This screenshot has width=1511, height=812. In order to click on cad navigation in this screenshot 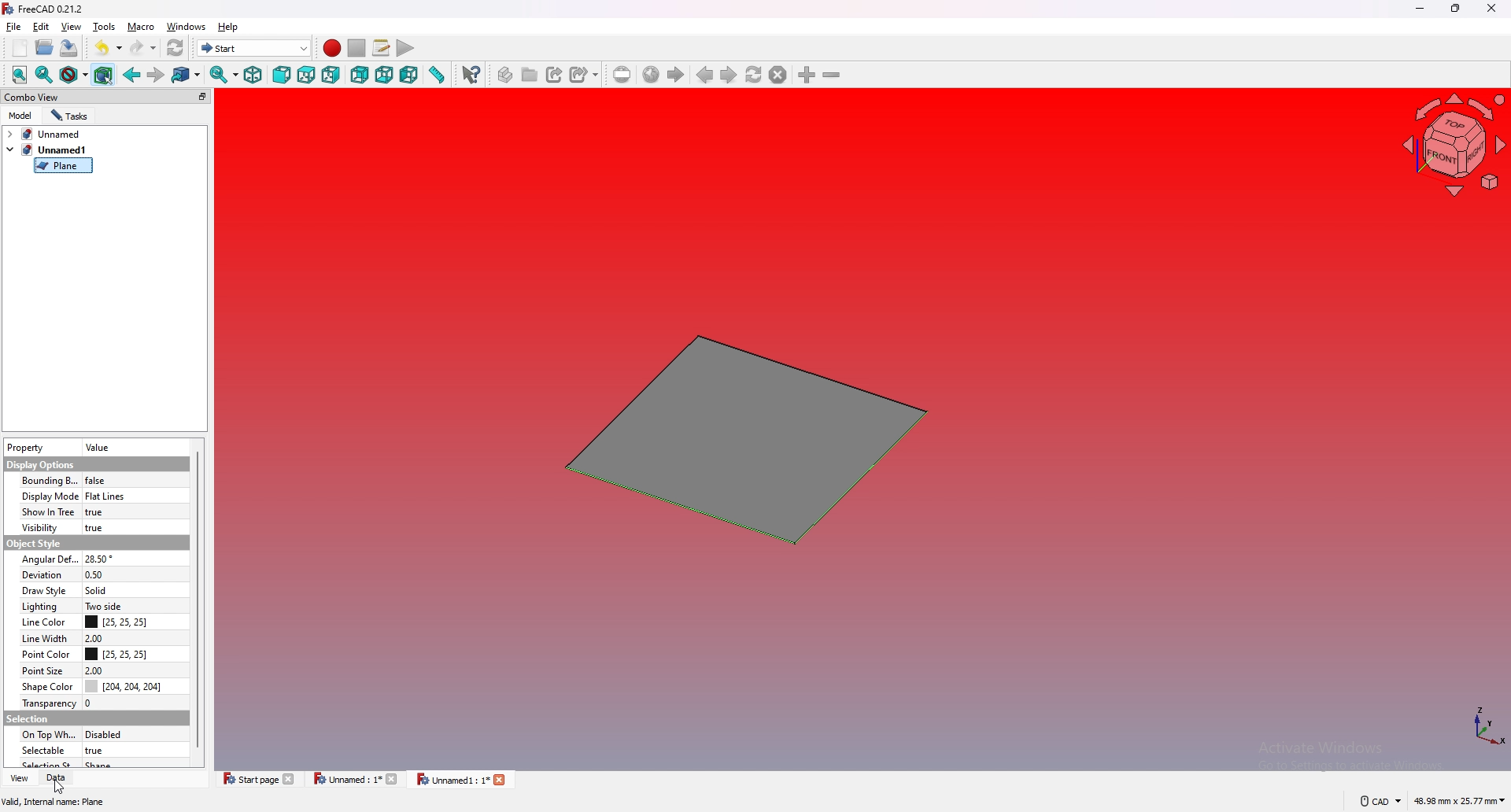, I will do `click(1380, 800)`.